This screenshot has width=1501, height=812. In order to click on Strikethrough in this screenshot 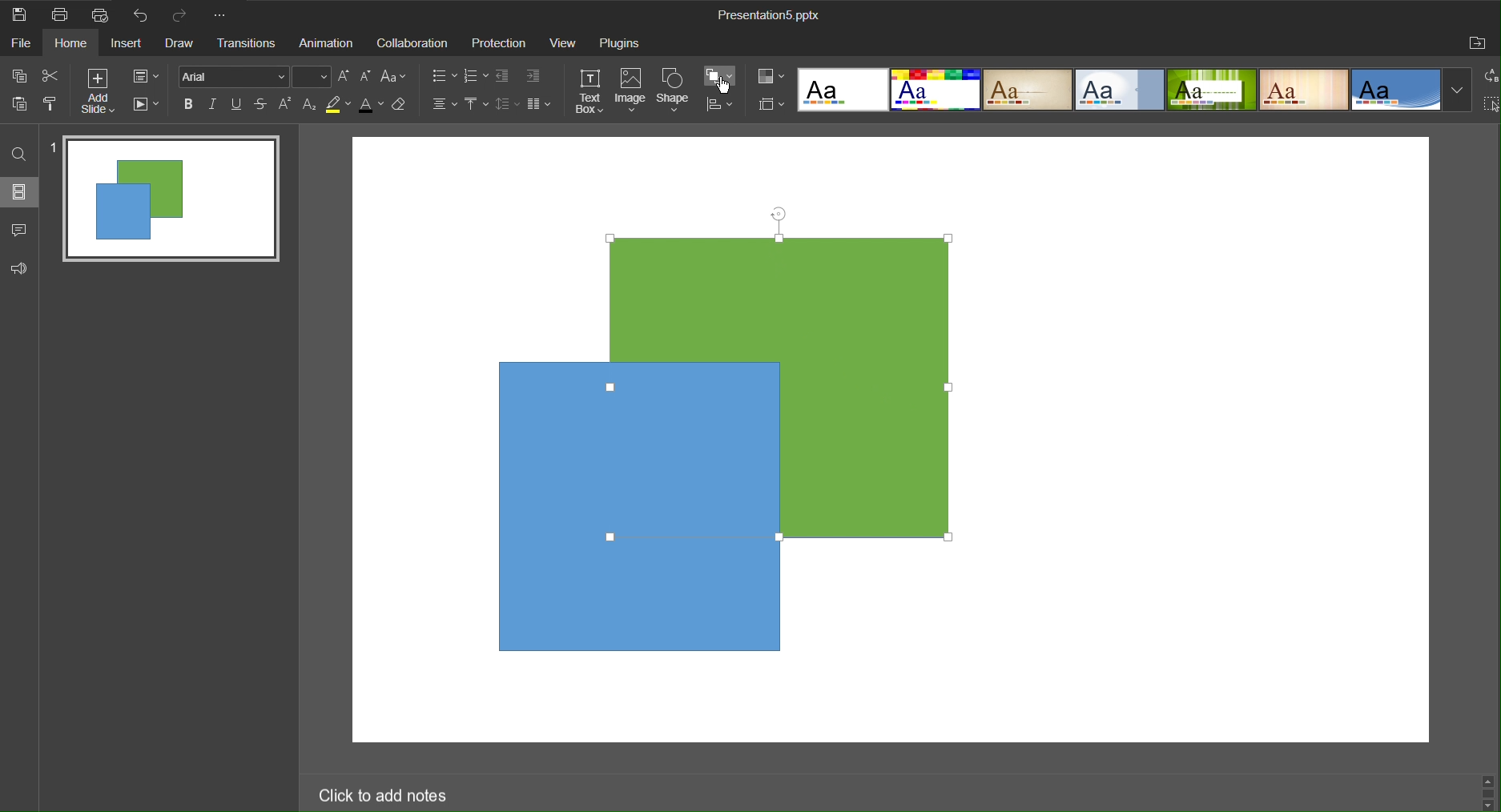, I will do `click(260, 104)`.